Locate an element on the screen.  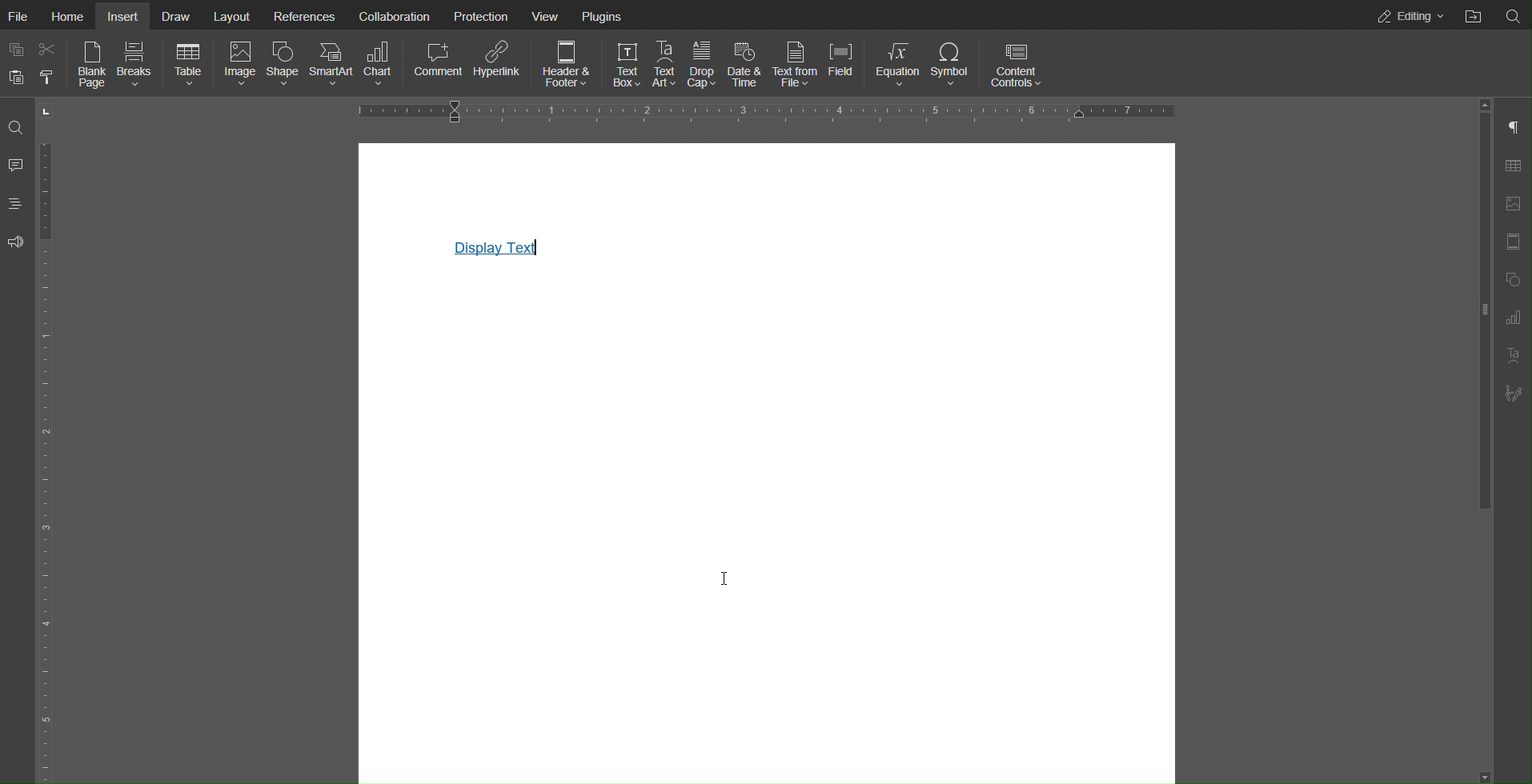
Plugins is located at coordinates (603, 15).